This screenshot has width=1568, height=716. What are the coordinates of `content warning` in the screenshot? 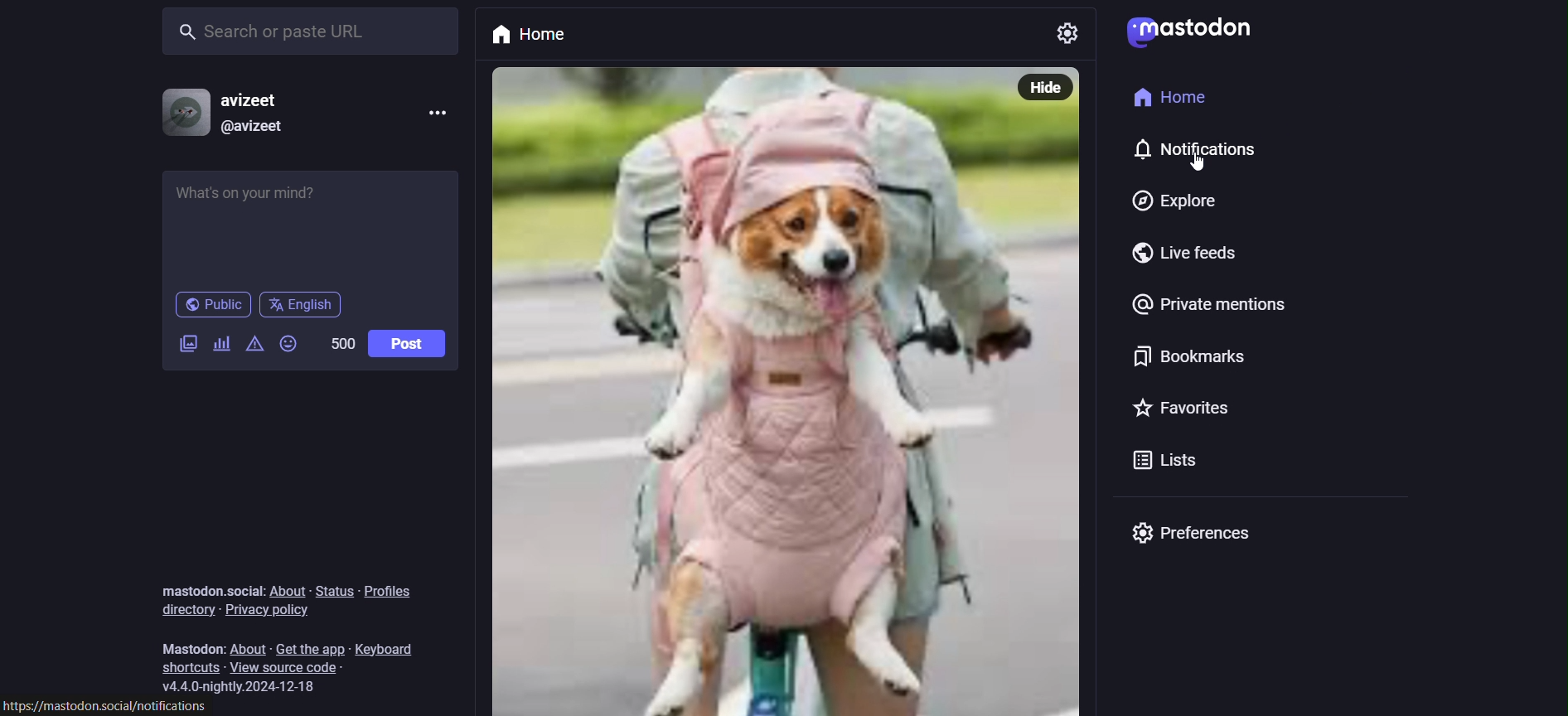 It's located at (255, 350).